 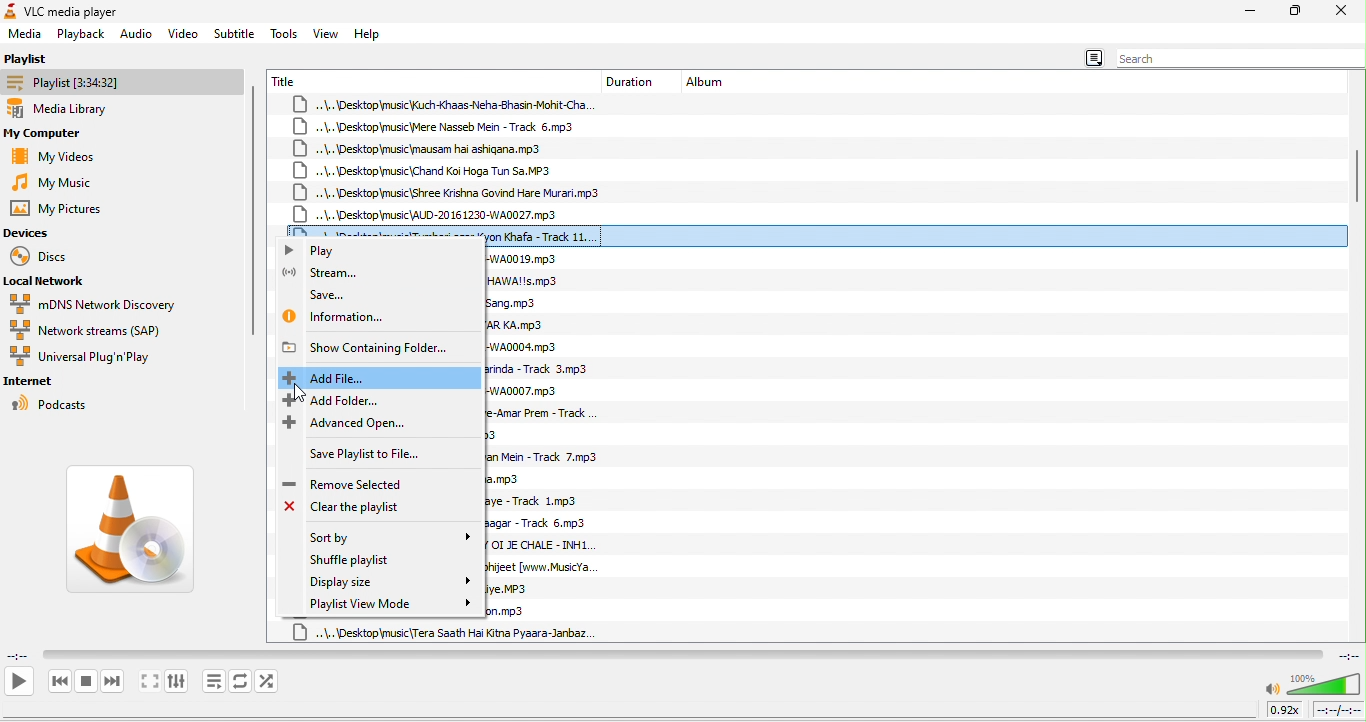 What do you see at coordinates (519, 612) in the screenshot?
I see `..\..\Desktop\music\ae sagar ki lehron.mp3` at bounding box center [519, 612].